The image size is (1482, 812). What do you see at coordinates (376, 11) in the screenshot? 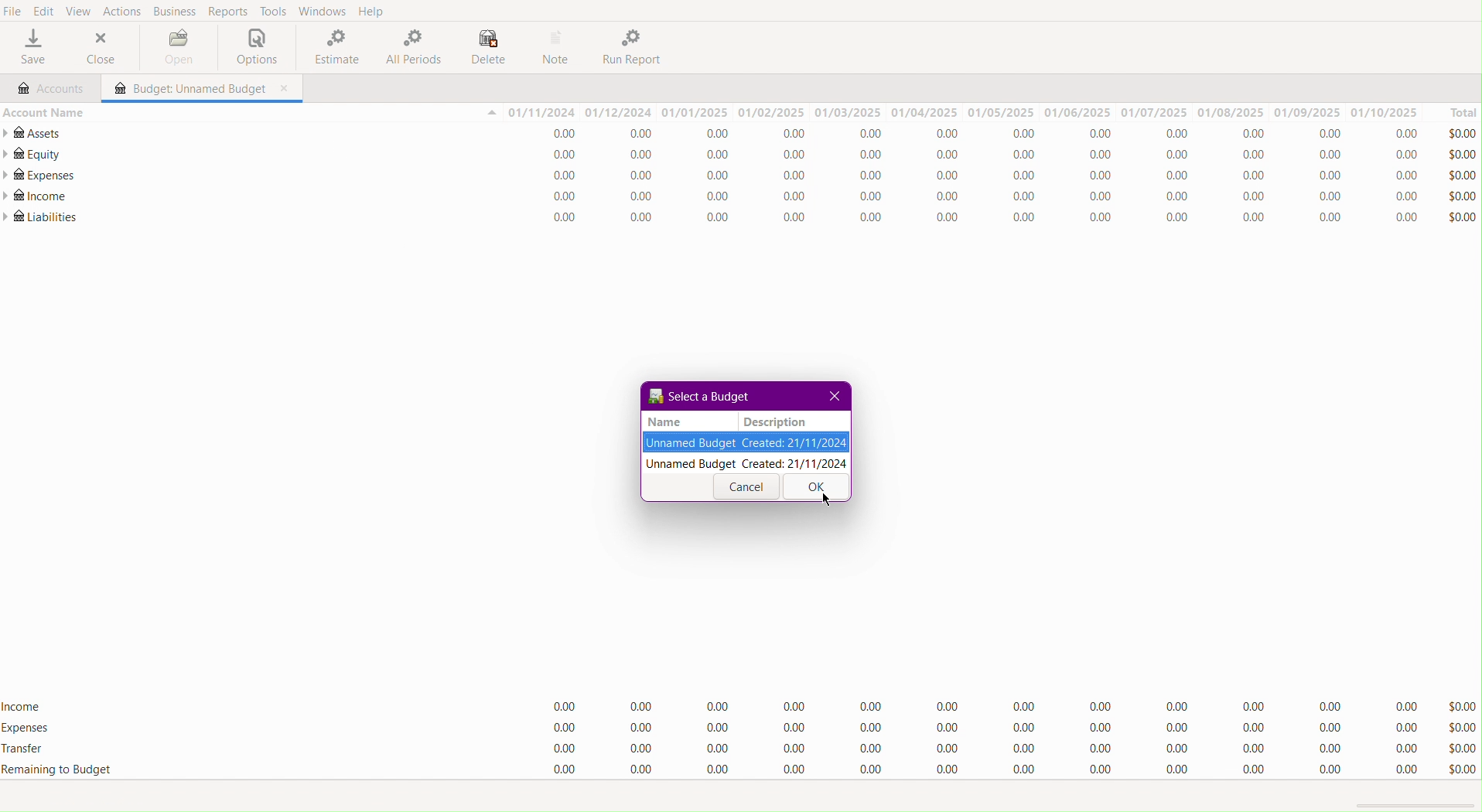
I see `Help` at bounding box center [376, 11].